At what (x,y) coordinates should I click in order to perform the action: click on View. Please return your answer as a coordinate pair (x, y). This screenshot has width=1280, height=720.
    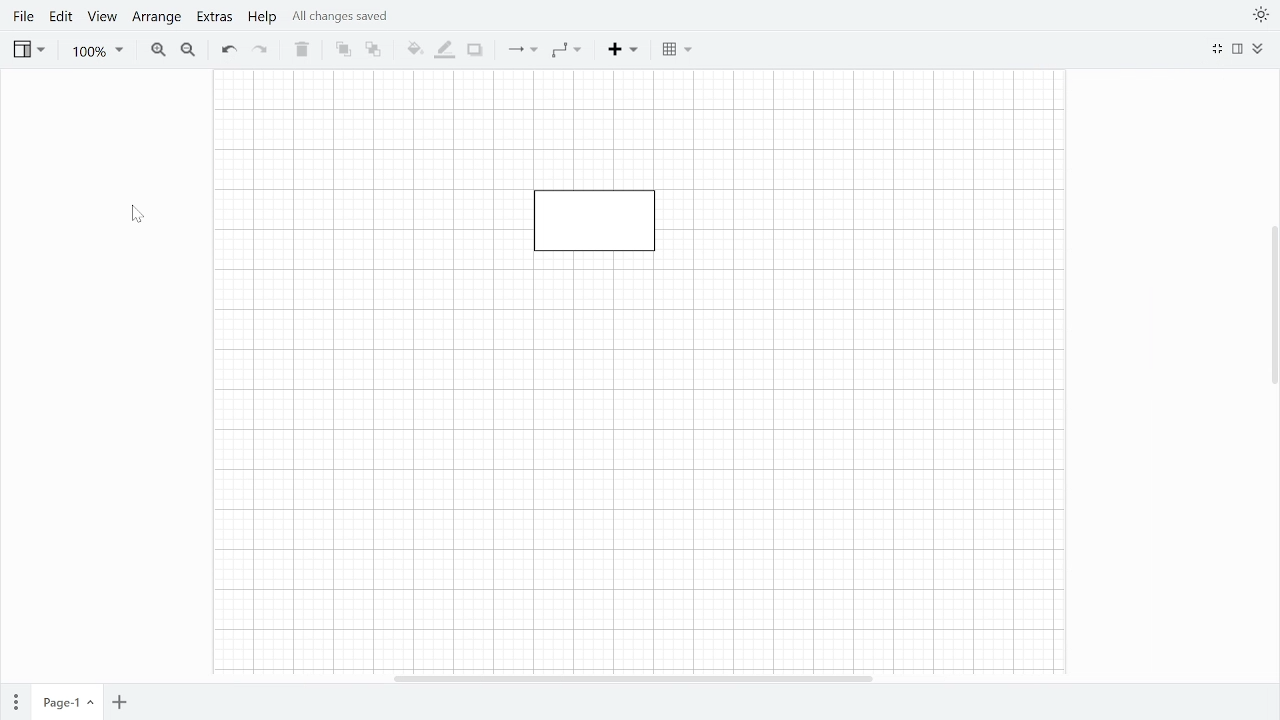
    Looking at the image, I should click on (31, 52).